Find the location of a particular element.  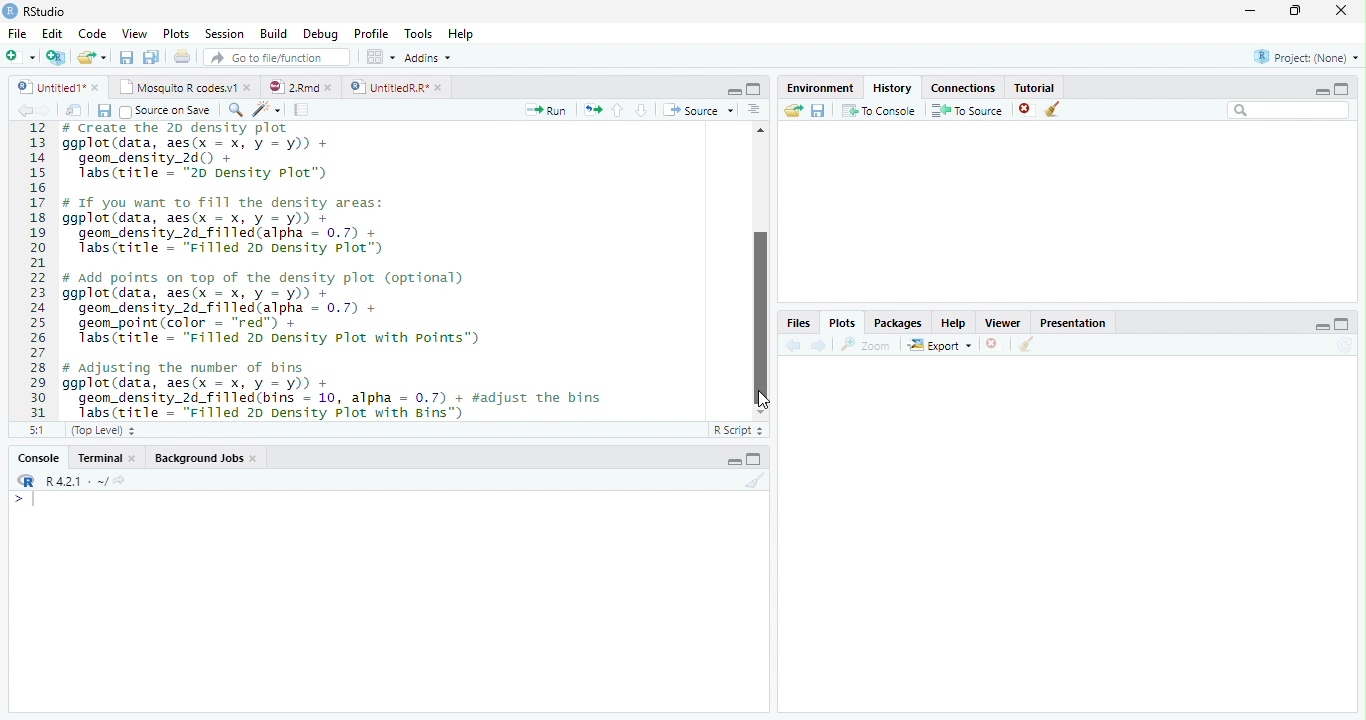

Tools is located at coordinates (419, 34).